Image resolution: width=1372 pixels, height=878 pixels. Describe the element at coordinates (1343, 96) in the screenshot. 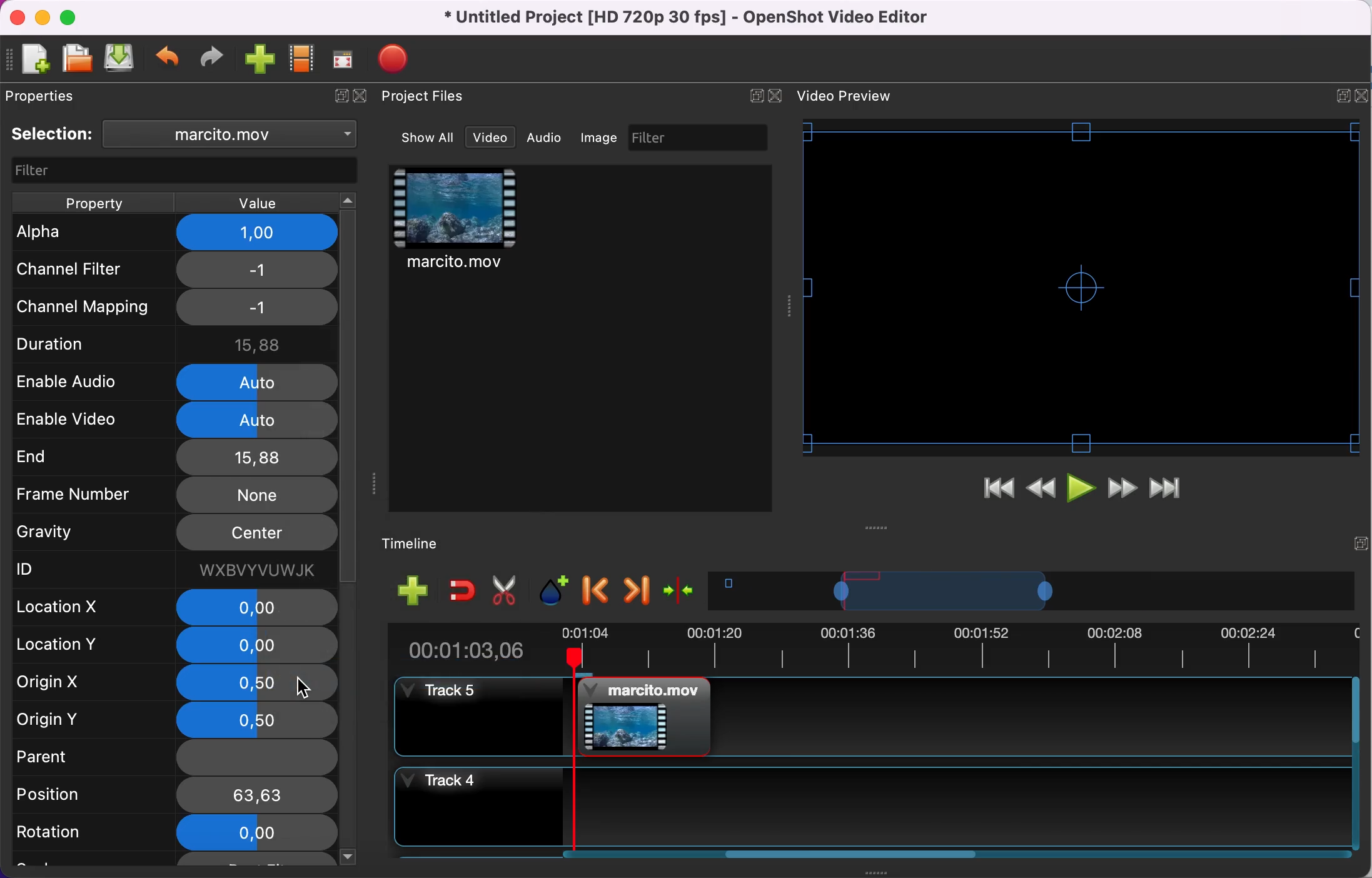

I see `Expand/Collapse` at that location.